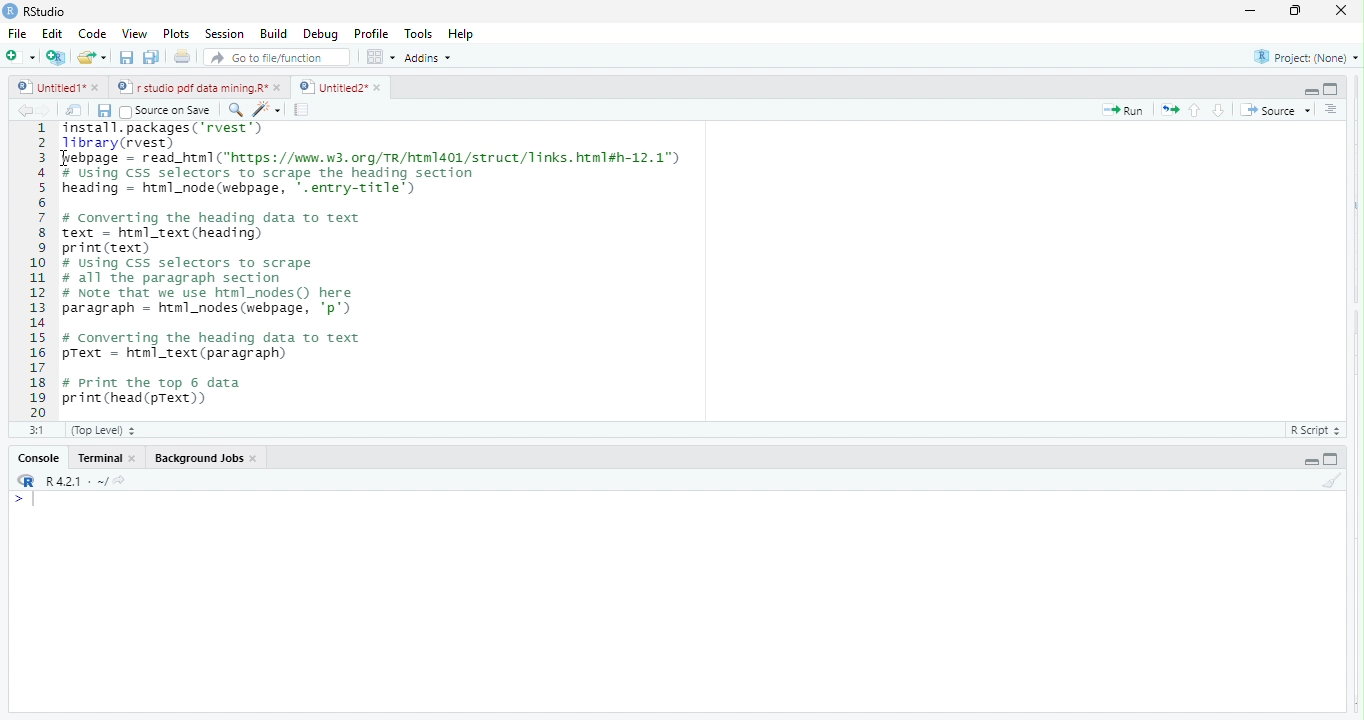  I want to click on rs studio logo, so click(26, 481).